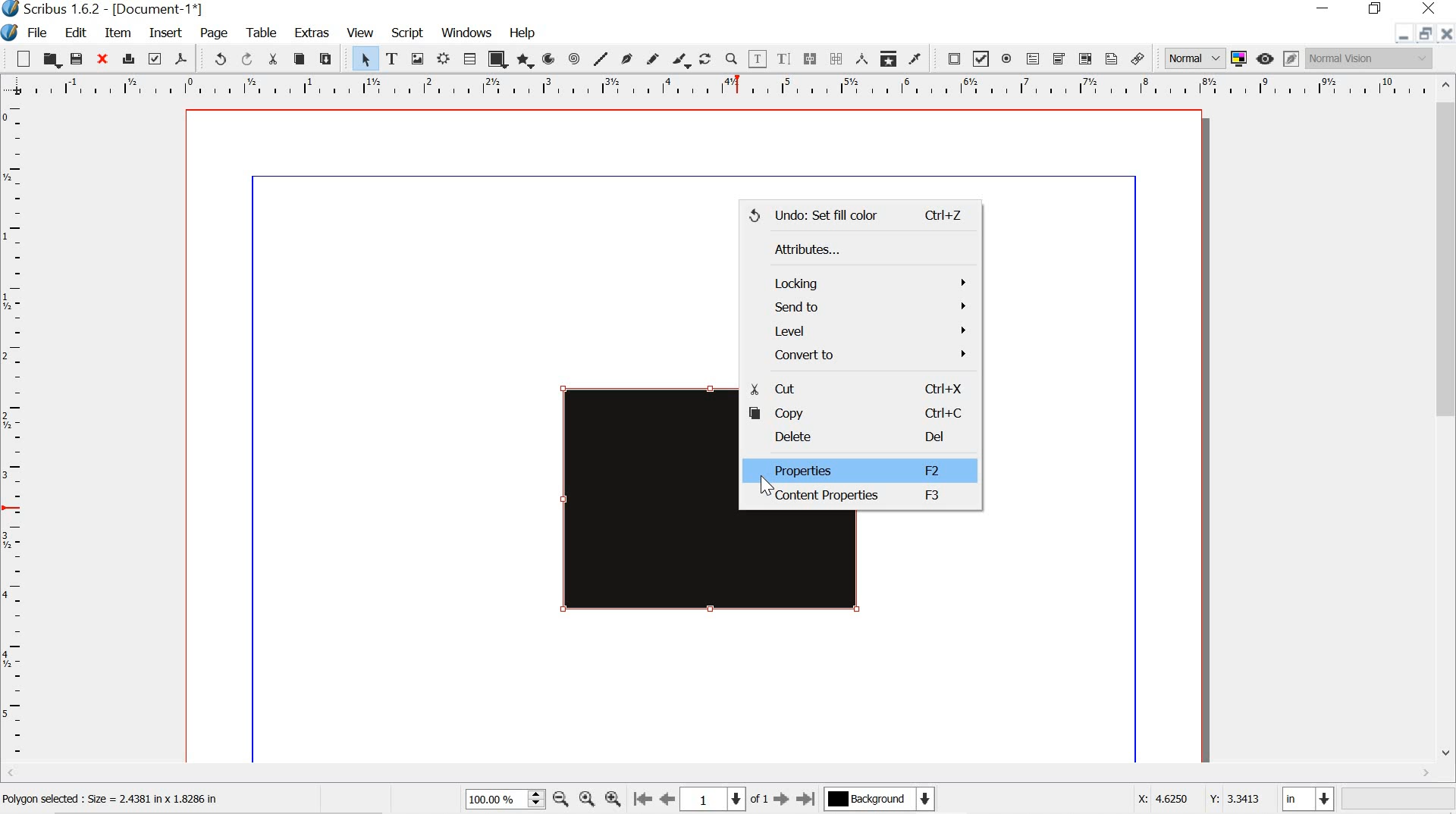 The width and height of the screenshot is (1456, 814). I want to click on go to first page, so click(642, 800).